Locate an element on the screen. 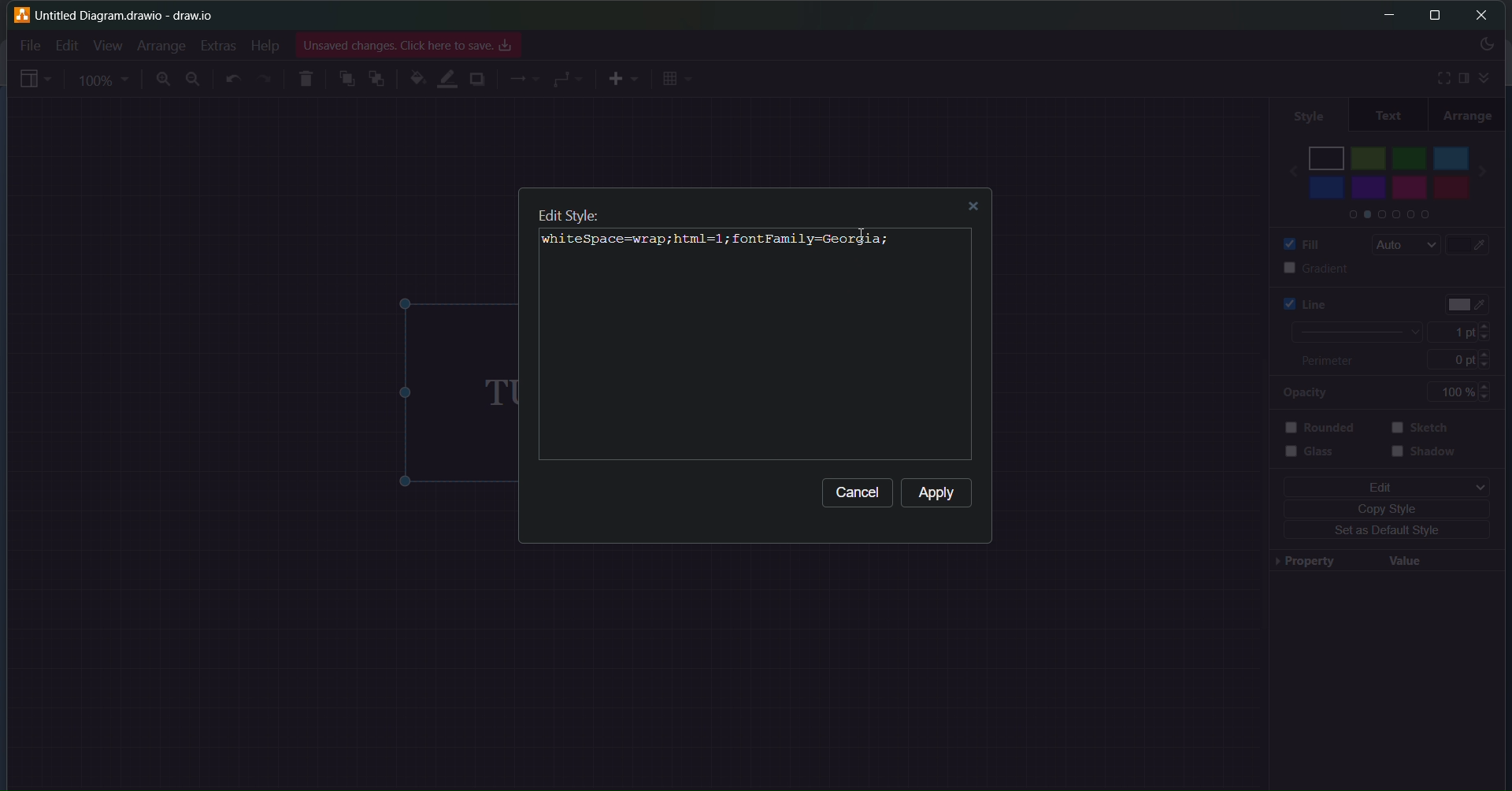  black is located at coordinates (1327, 155).